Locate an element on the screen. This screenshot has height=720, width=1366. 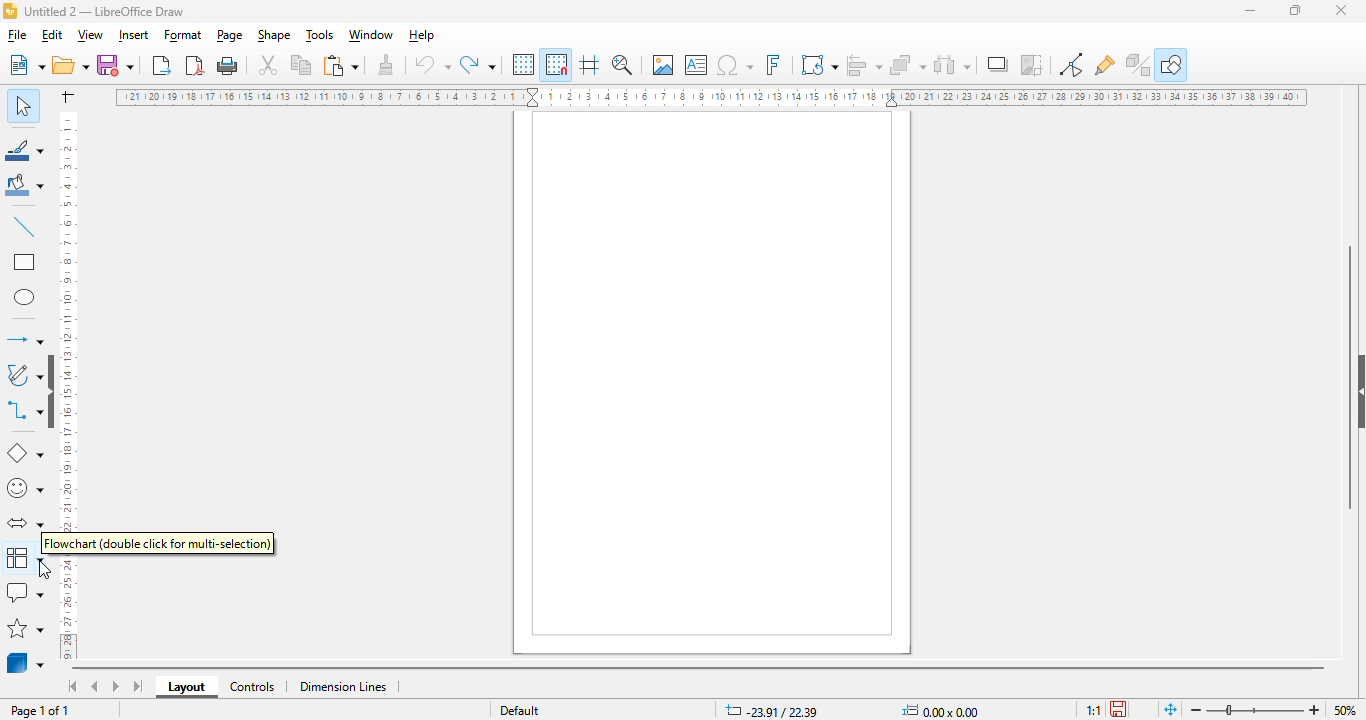
maximize is located at coordinates (1295, 10).